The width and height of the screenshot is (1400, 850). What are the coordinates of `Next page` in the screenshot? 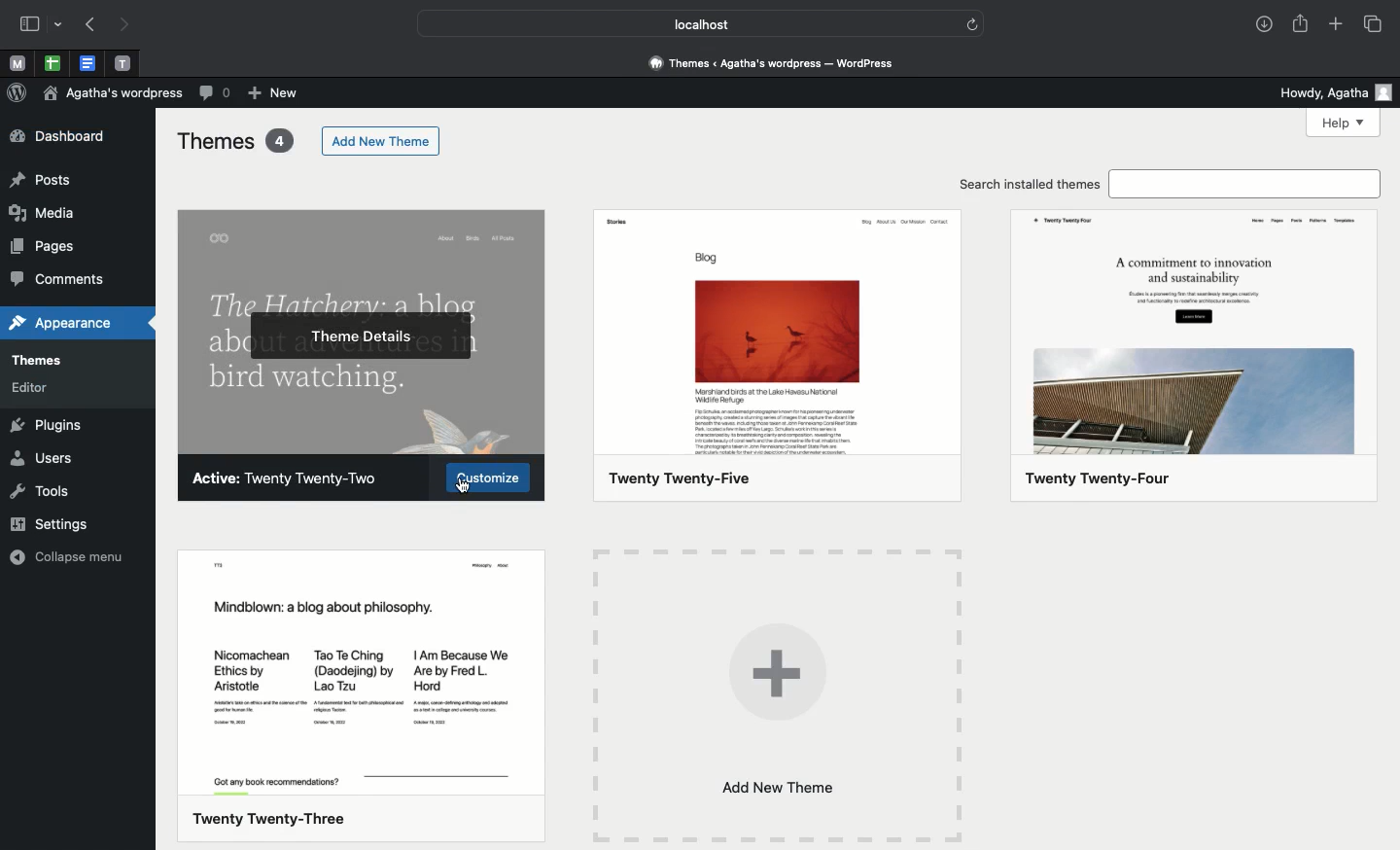 It's located at (124, 25).